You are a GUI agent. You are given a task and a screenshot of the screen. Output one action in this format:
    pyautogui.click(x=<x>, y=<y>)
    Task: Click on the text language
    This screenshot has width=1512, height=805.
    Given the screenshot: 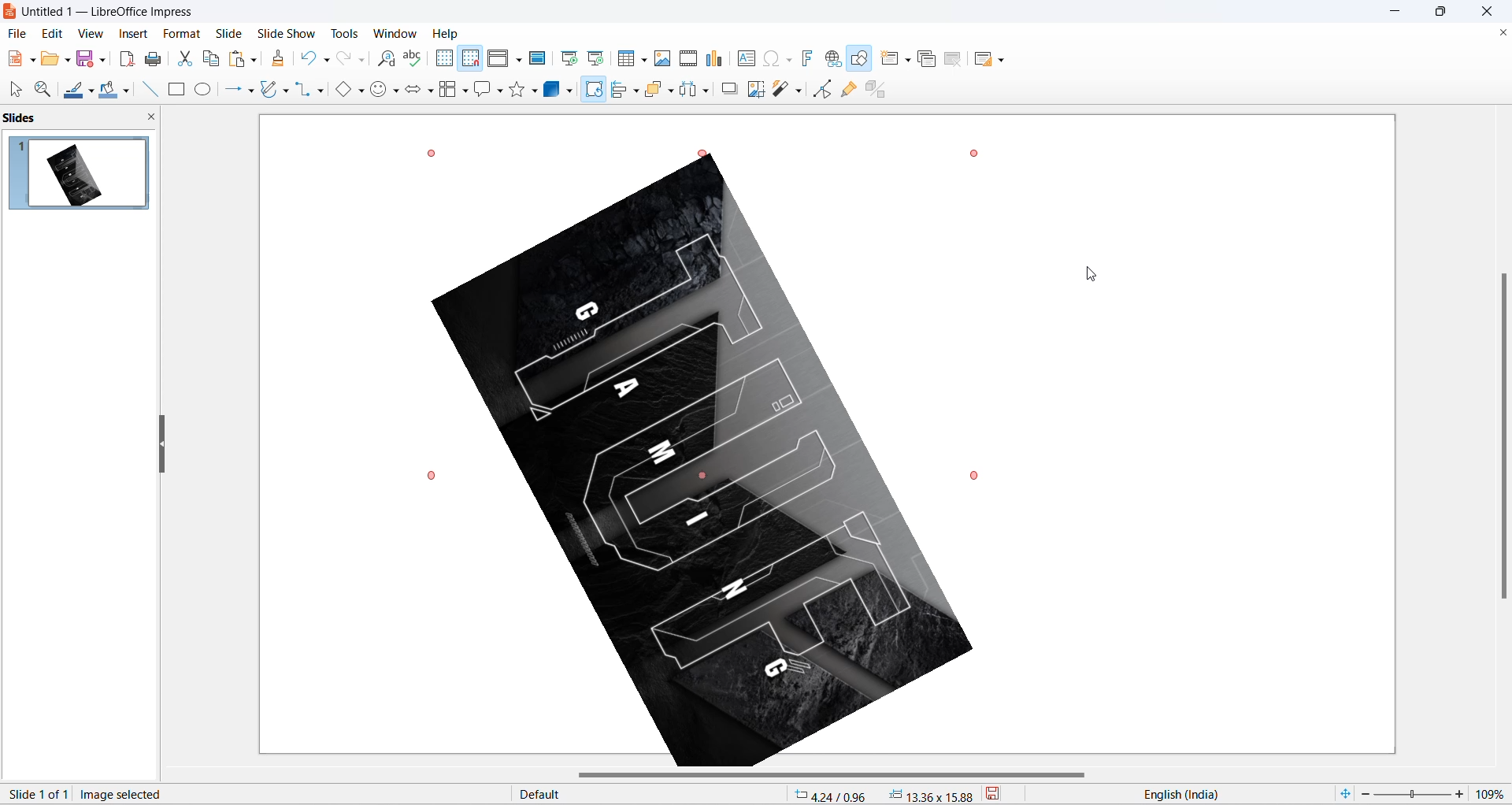 What is the action you would take?
    pyautogui.click(x=1220, y=794)
    